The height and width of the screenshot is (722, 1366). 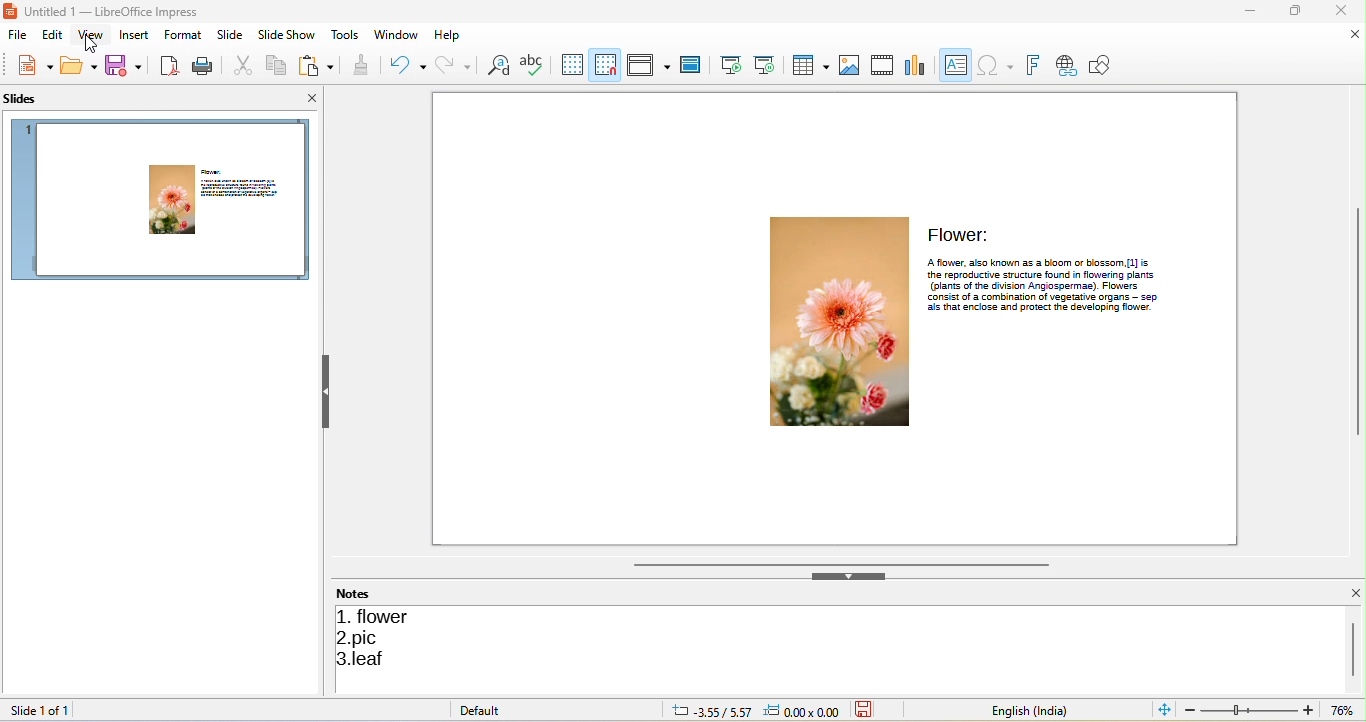 I want to click on flower, so click(x=379, y=615).